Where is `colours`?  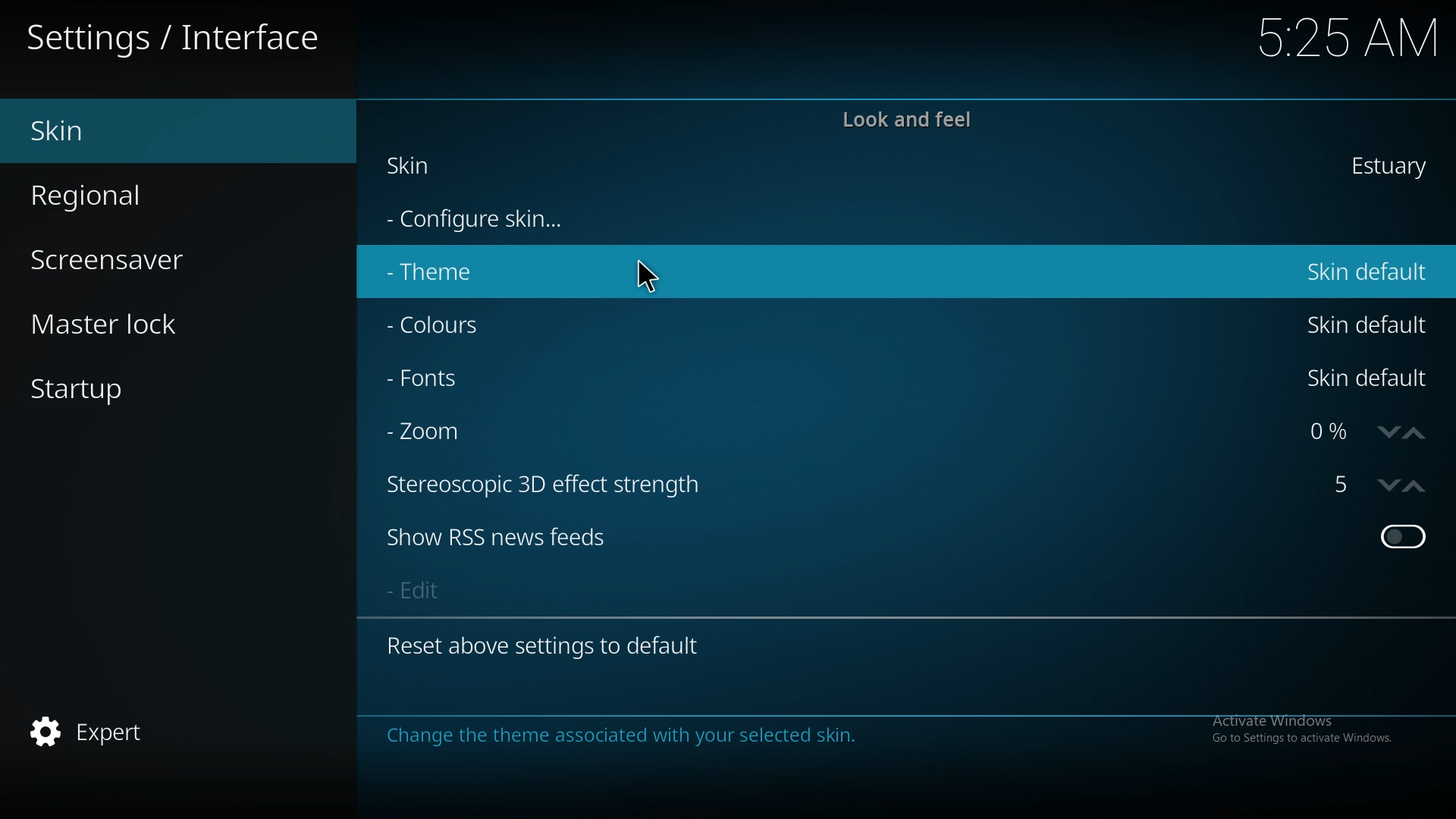 colours is located at coordinates (510, 323).